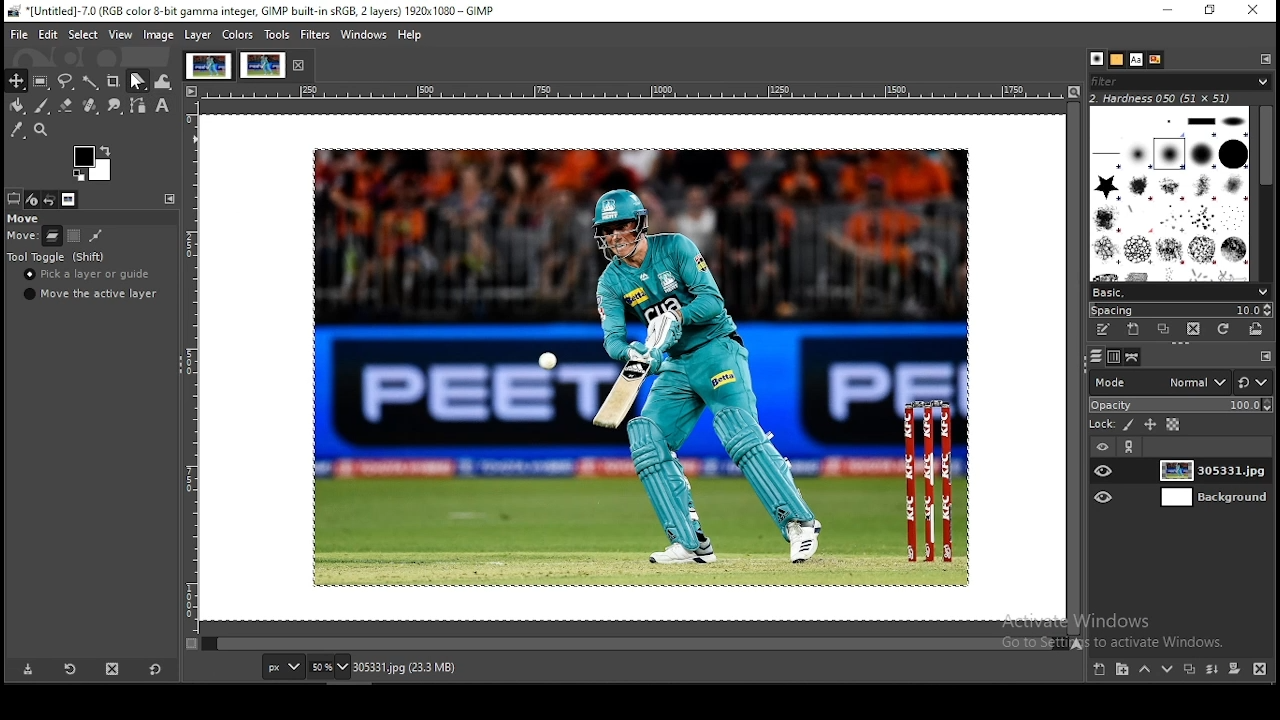 The height and width of the screenshot is (720, 1280). What do you see at coordinates (1174, 426) in the screenshot?
I see `lock alpha channel` at bounding box center [1174, 426].